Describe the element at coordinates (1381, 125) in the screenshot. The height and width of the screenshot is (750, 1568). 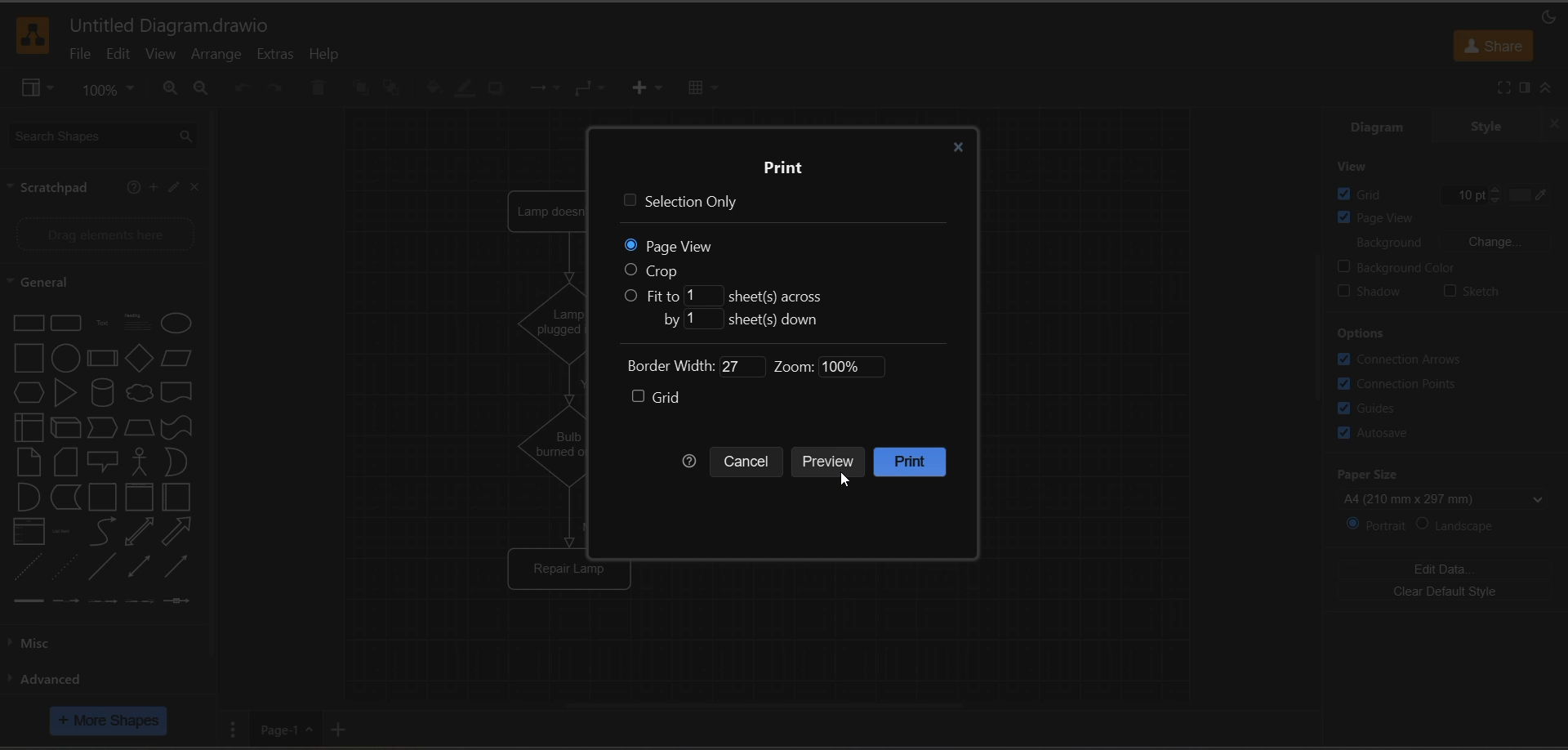
I see `diagram` at that location.